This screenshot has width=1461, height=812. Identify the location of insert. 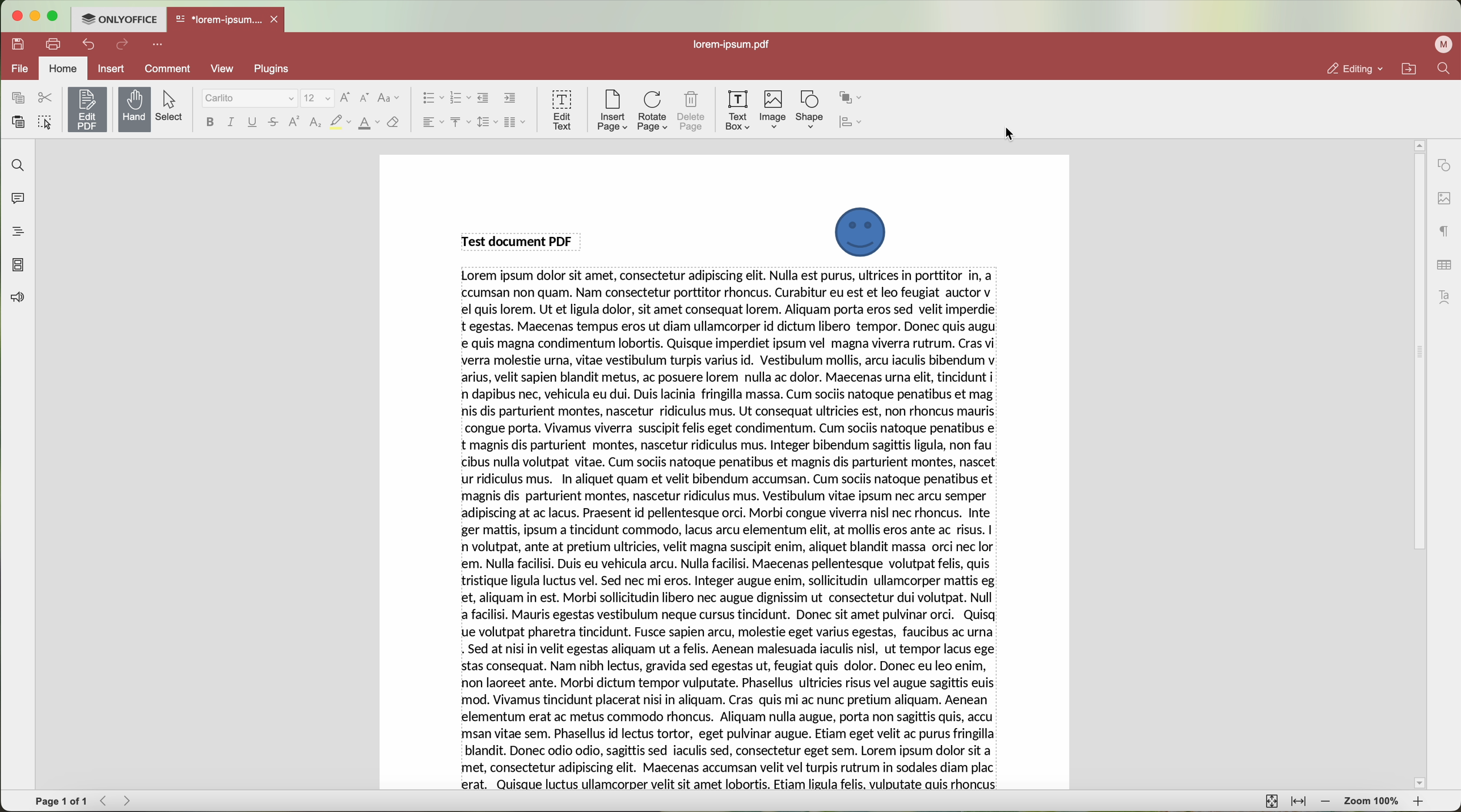
(112, 68).